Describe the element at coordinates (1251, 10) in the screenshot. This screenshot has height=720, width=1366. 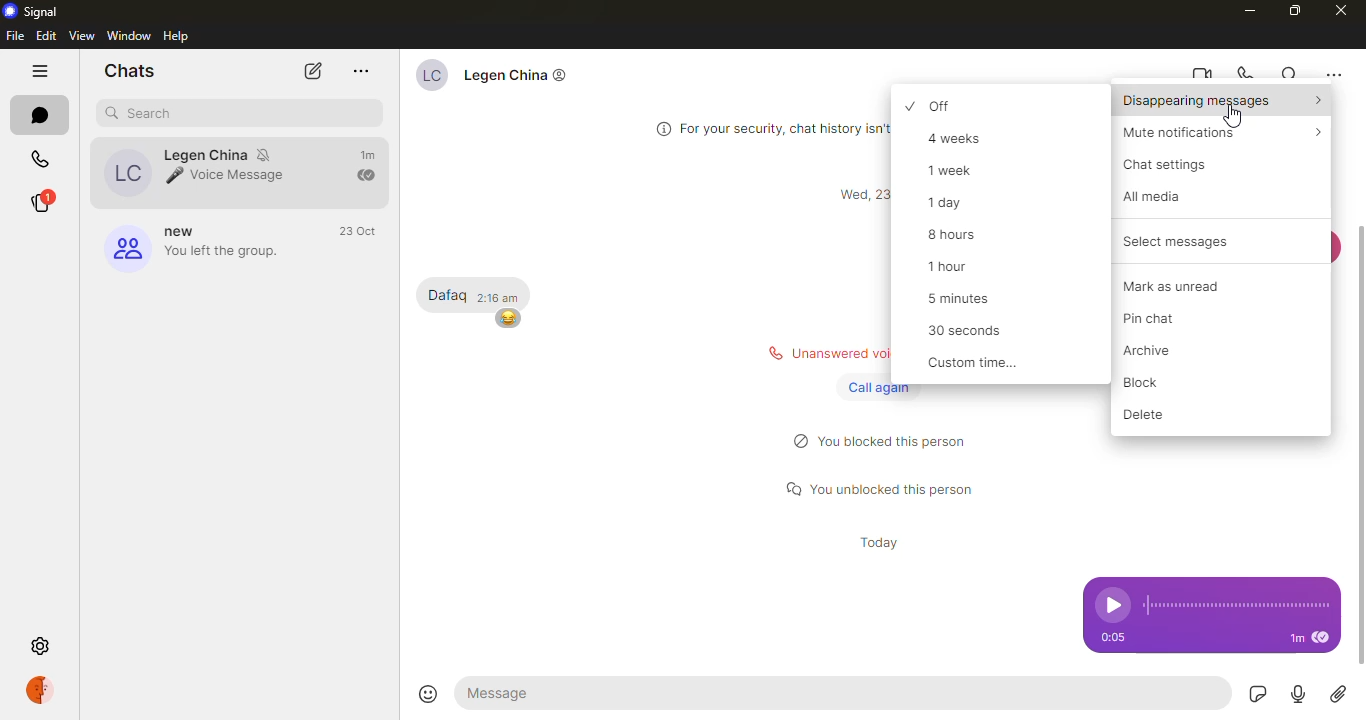
I see `minimize` at that location.